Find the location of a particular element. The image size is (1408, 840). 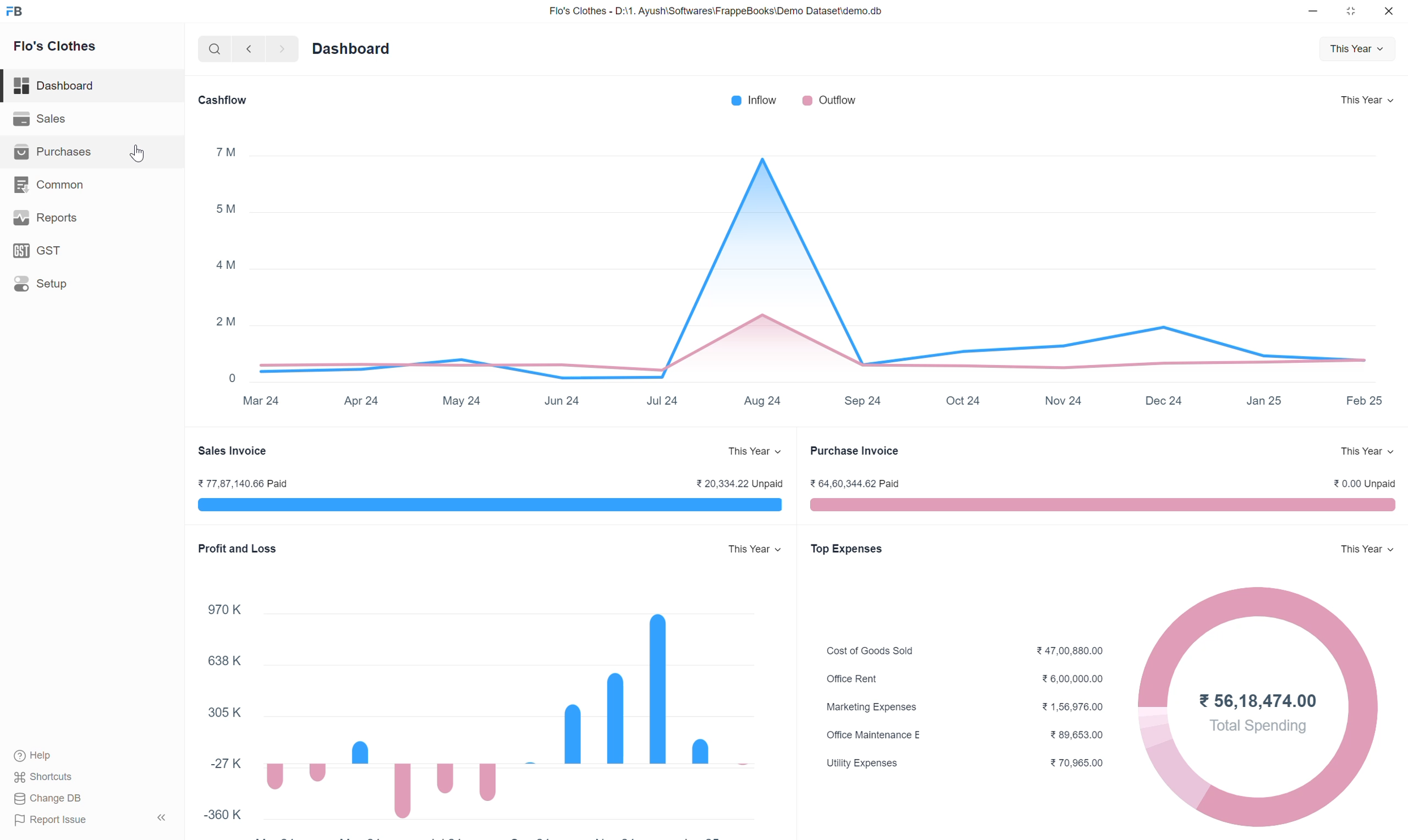

cursor is located at coordinates (139, 153).